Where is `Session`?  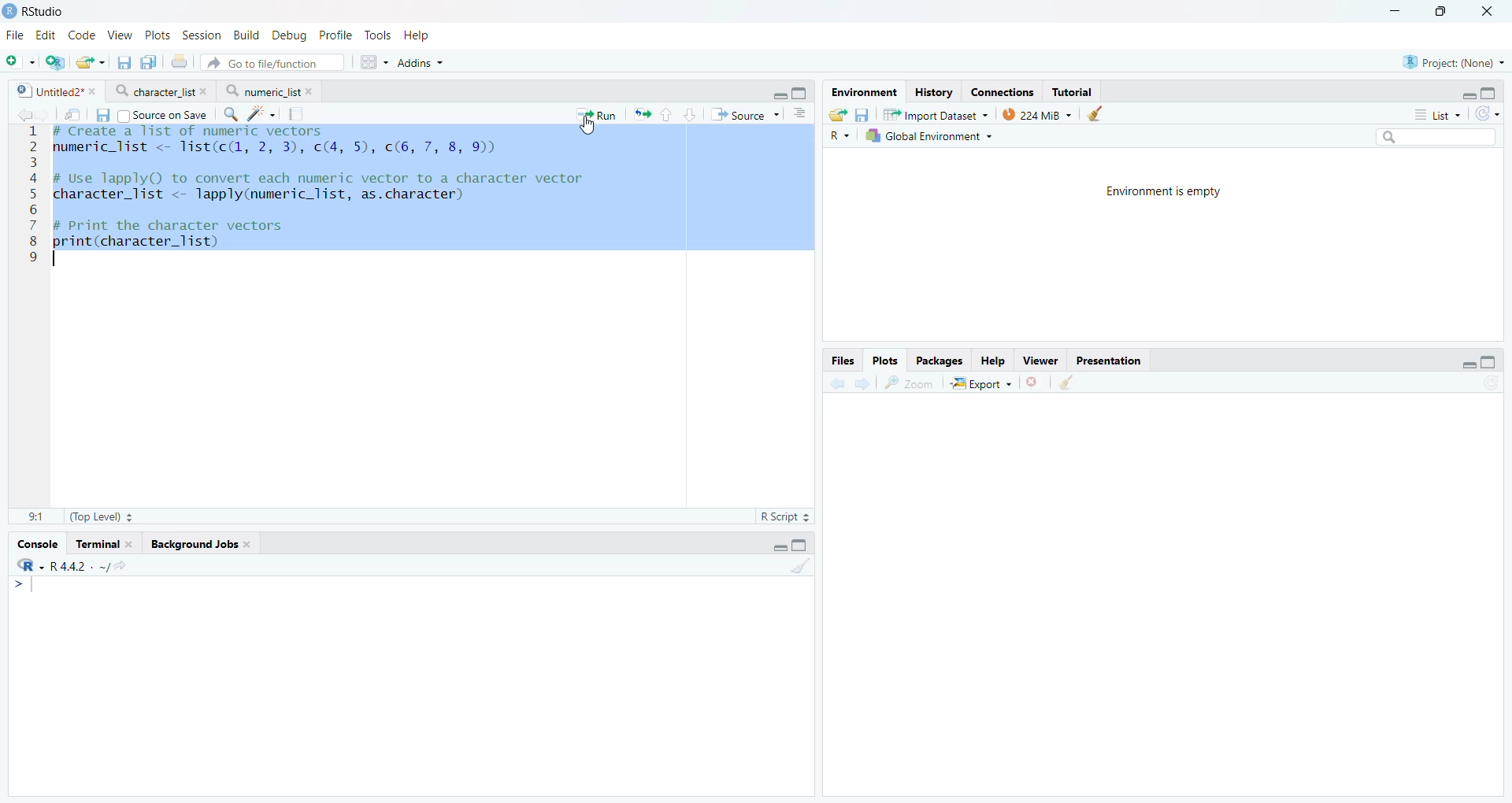
Session is located at coordinates (204, 35).